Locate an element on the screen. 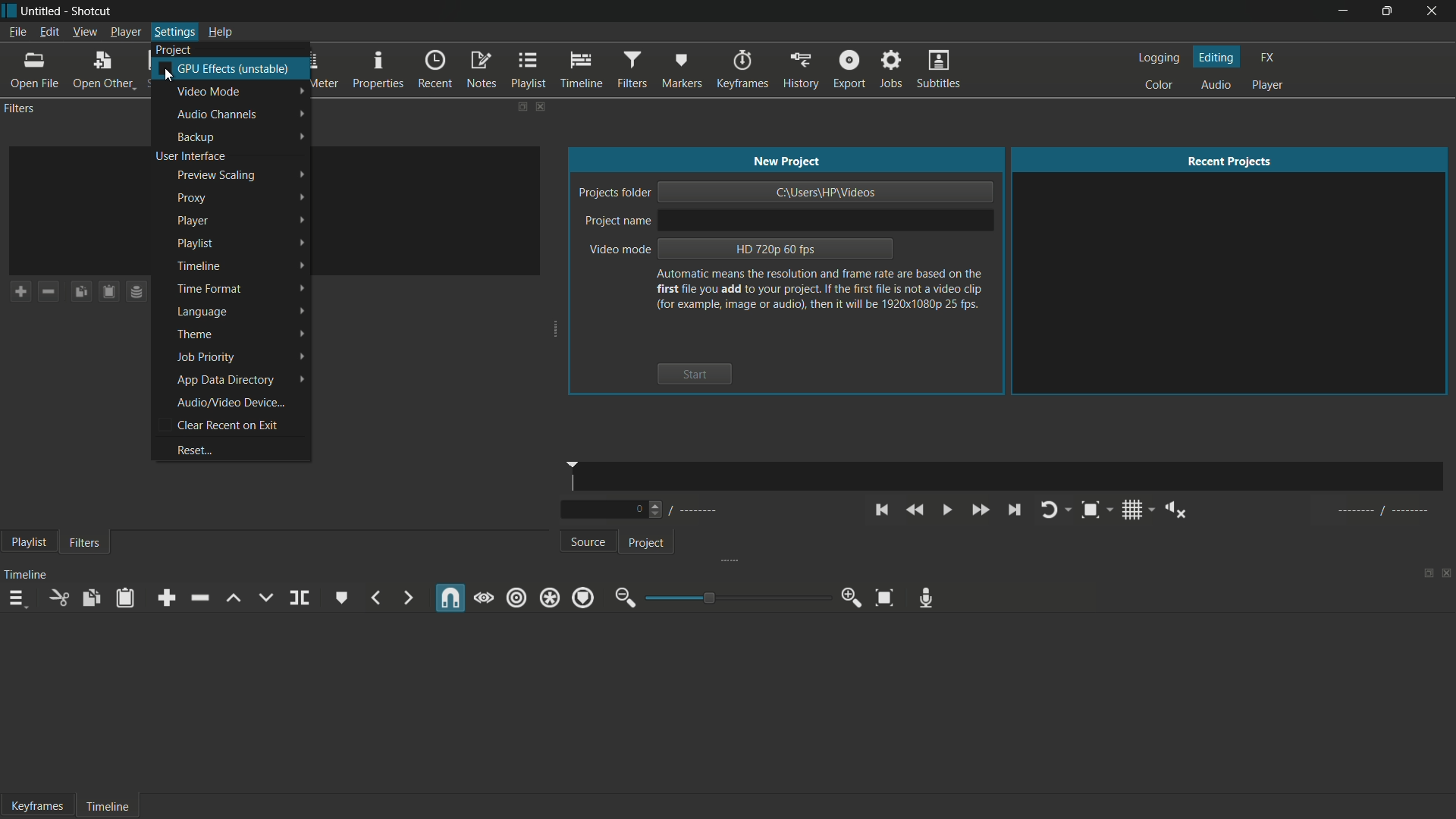 Image resolution: width=1456 pixels, height=819 pixels. zoom timeline to fit is located at coordinates (884, 597).